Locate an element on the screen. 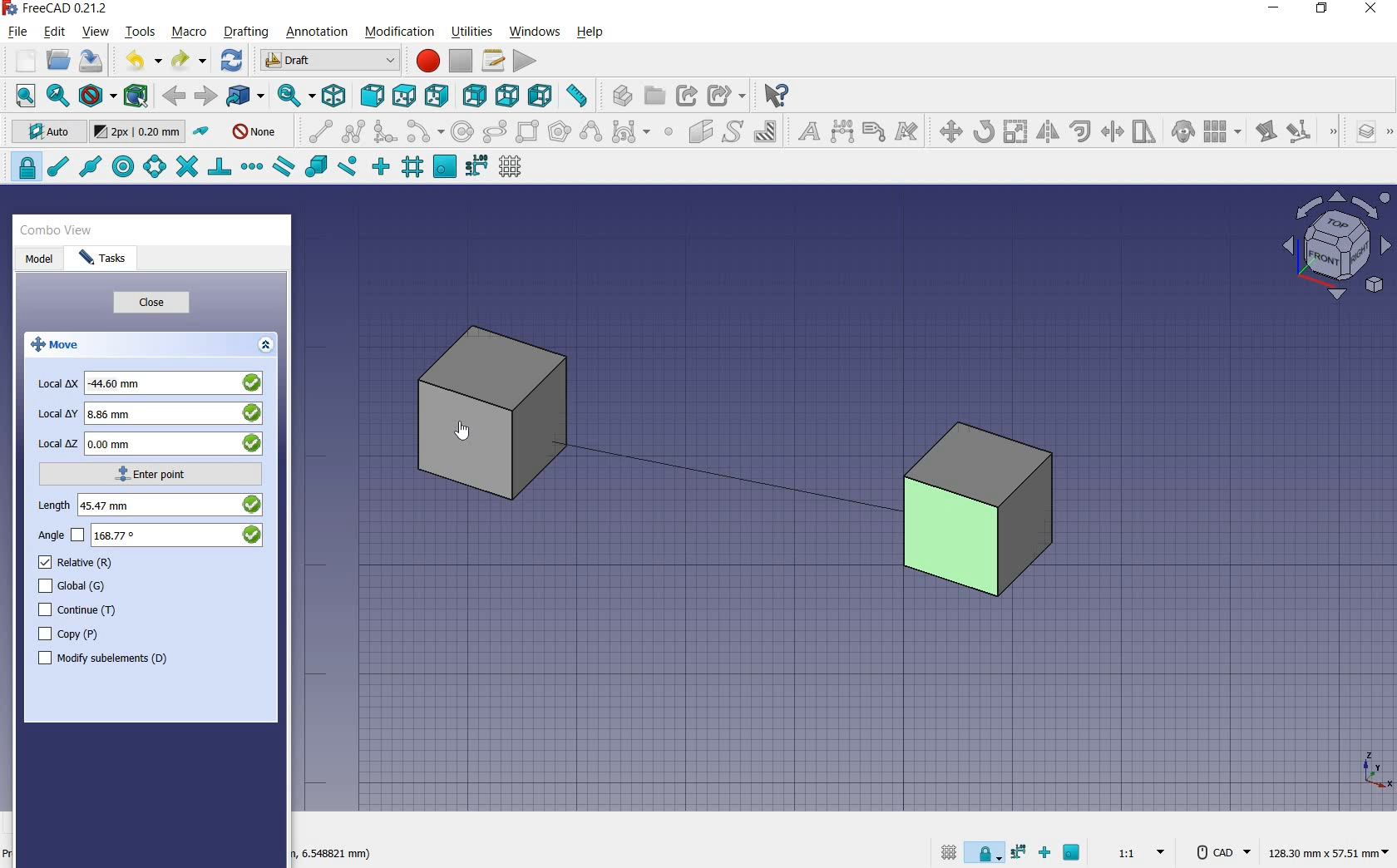 The height and width of the screenshot is (868, 1397). draft modification tools is located at coordinates (1335, 133).